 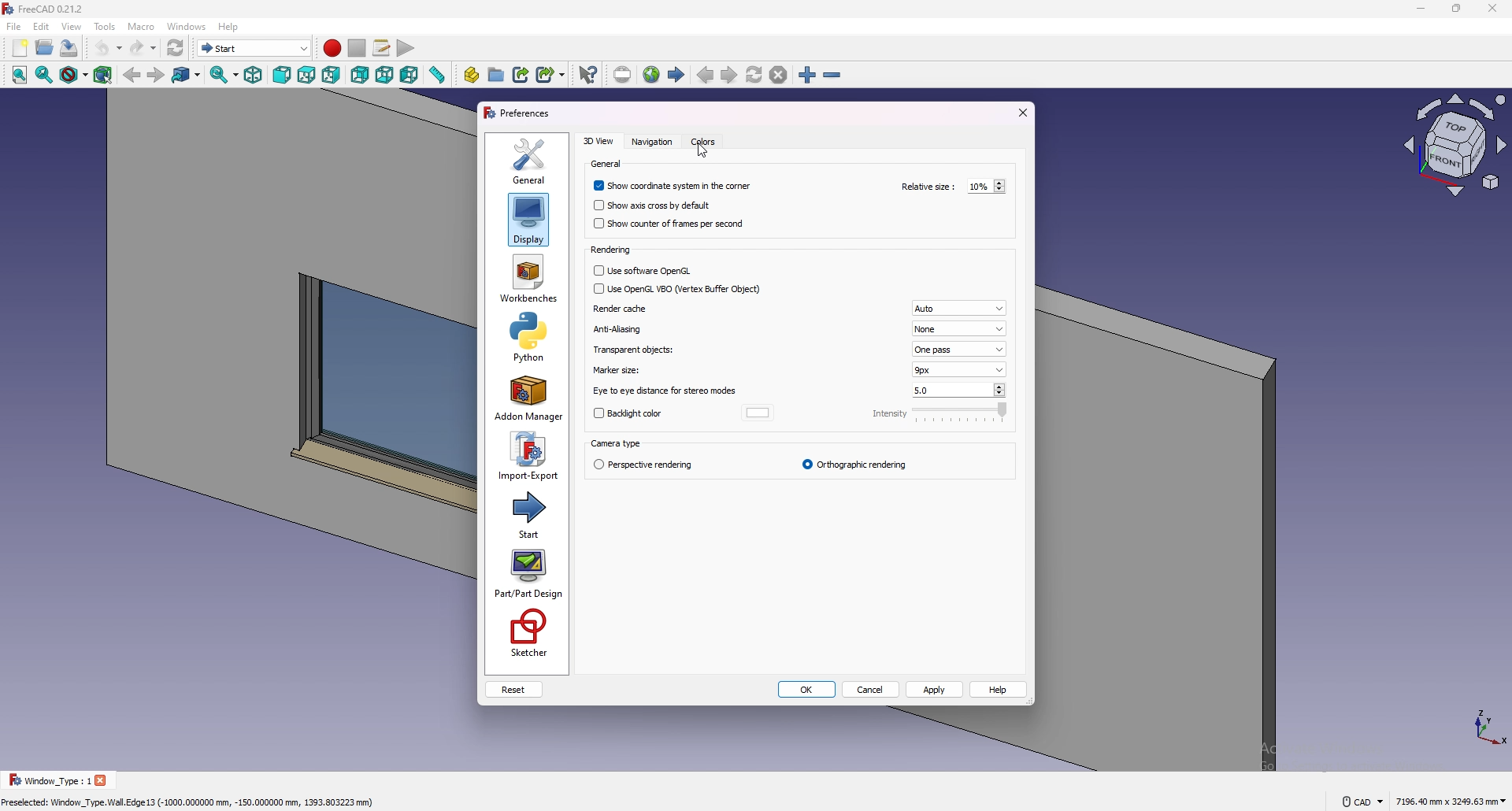 I want to click on fit selection, so click(x=44, y=75).